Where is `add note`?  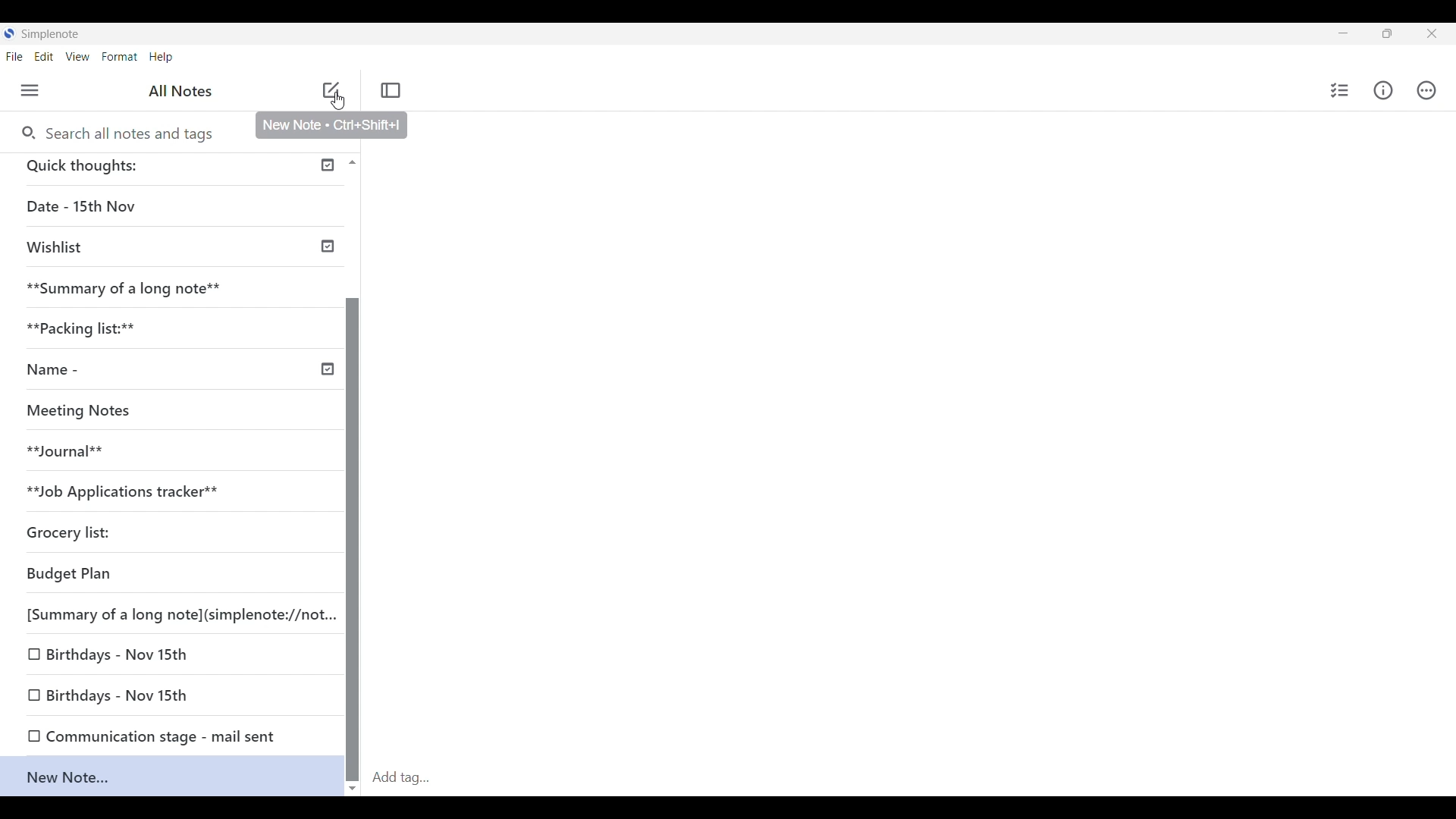
add note is located at coordinates (329, 89).